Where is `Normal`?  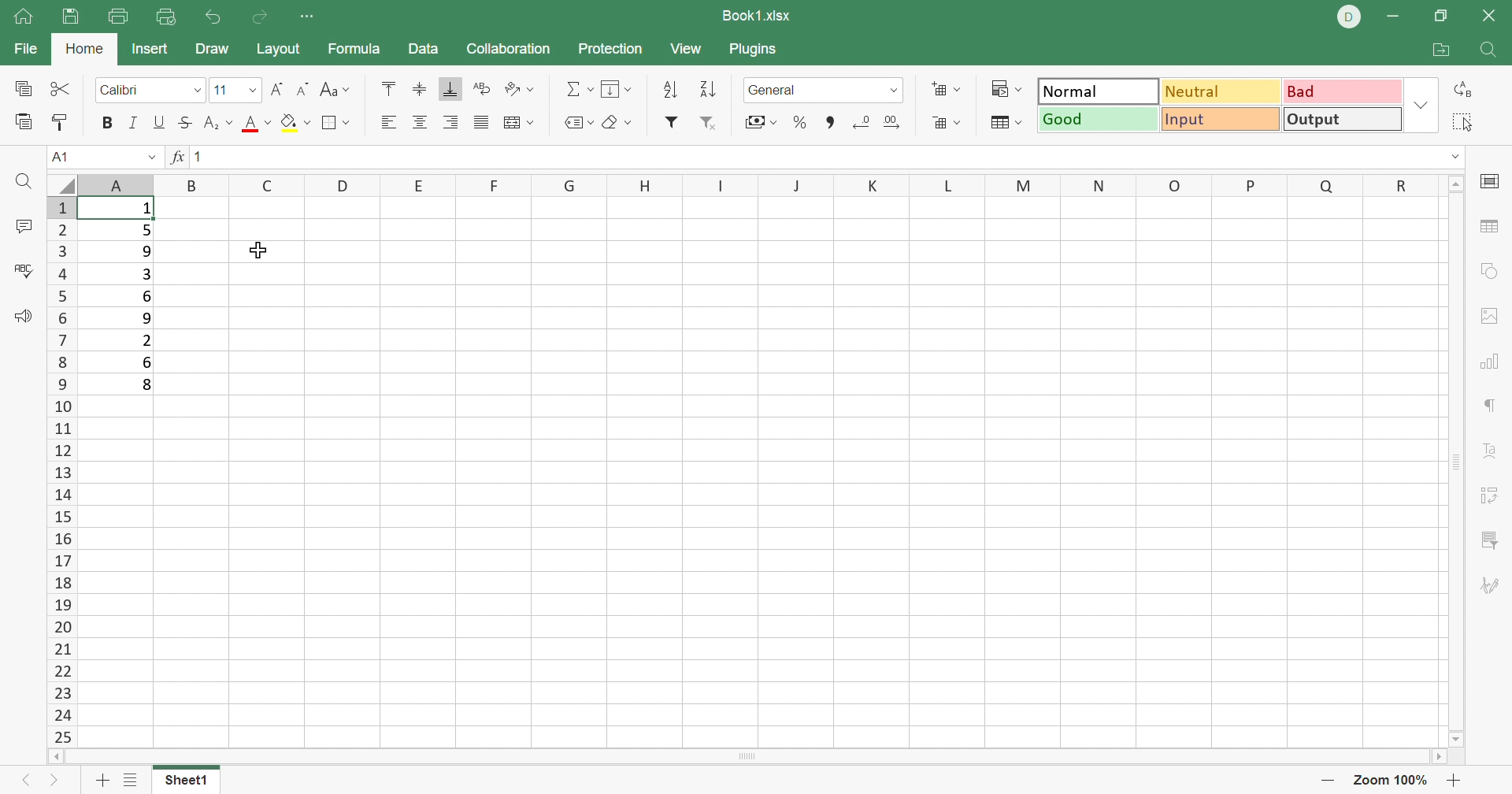
Normal is located at coordinates (1099, 92).